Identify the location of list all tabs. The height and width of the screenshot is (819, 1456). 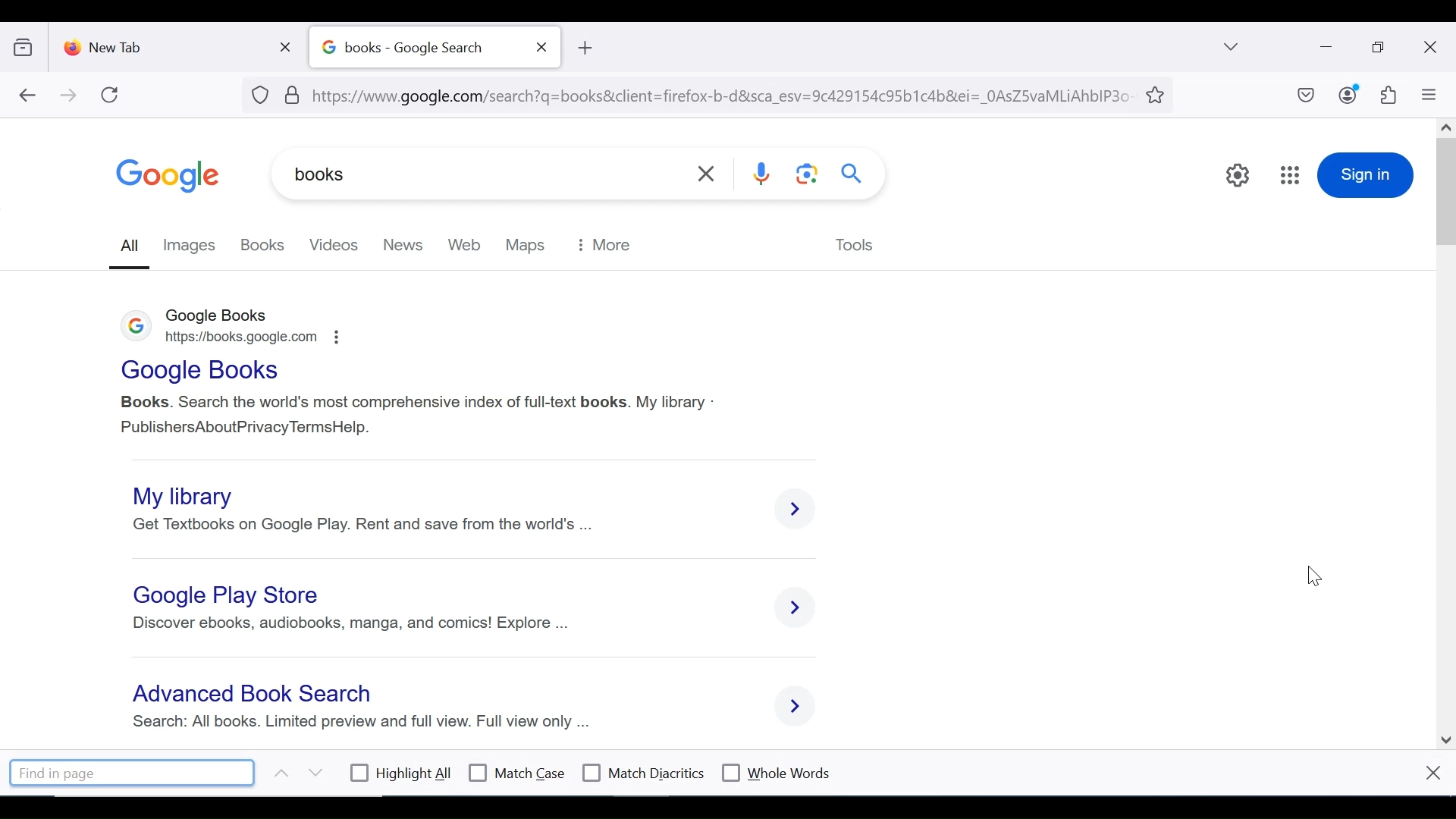
(1232, 46).